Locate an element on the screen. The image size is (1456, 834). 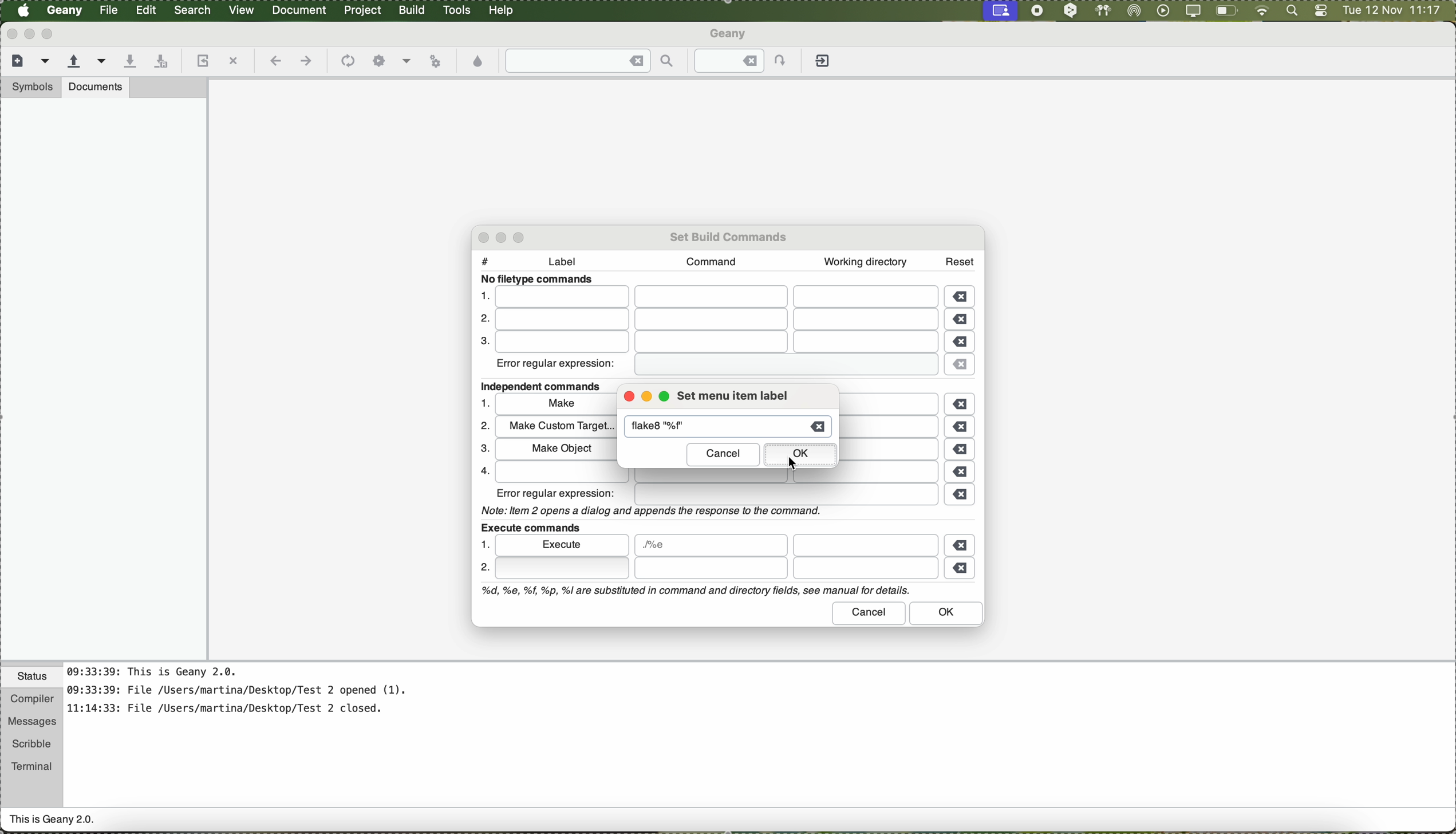
error regular expression is located at coordinates (557, 366).